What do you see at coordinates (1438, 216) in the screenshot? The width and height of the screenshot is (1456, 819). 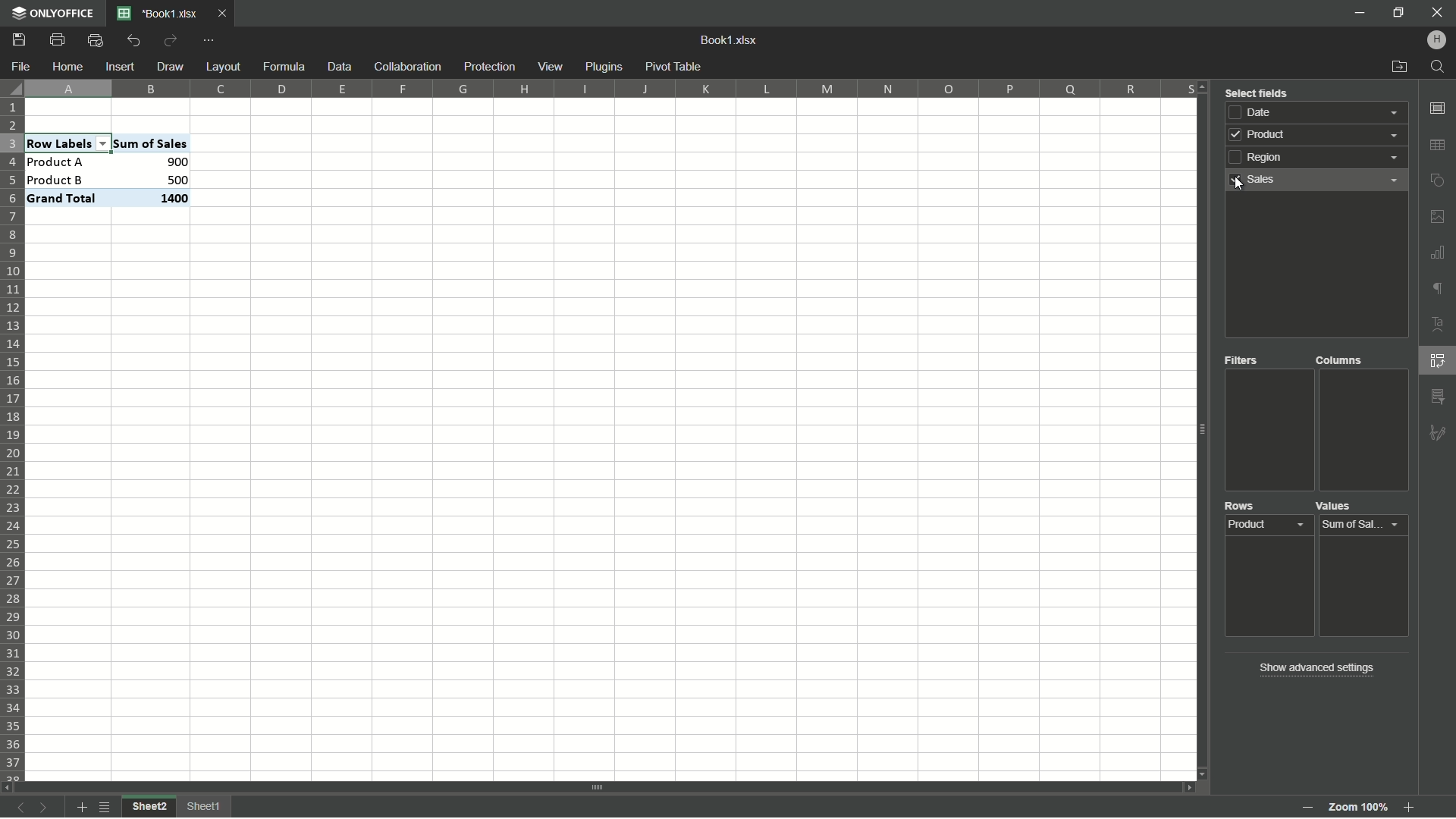 I see `insert image` at bounding box center [1438, 216].